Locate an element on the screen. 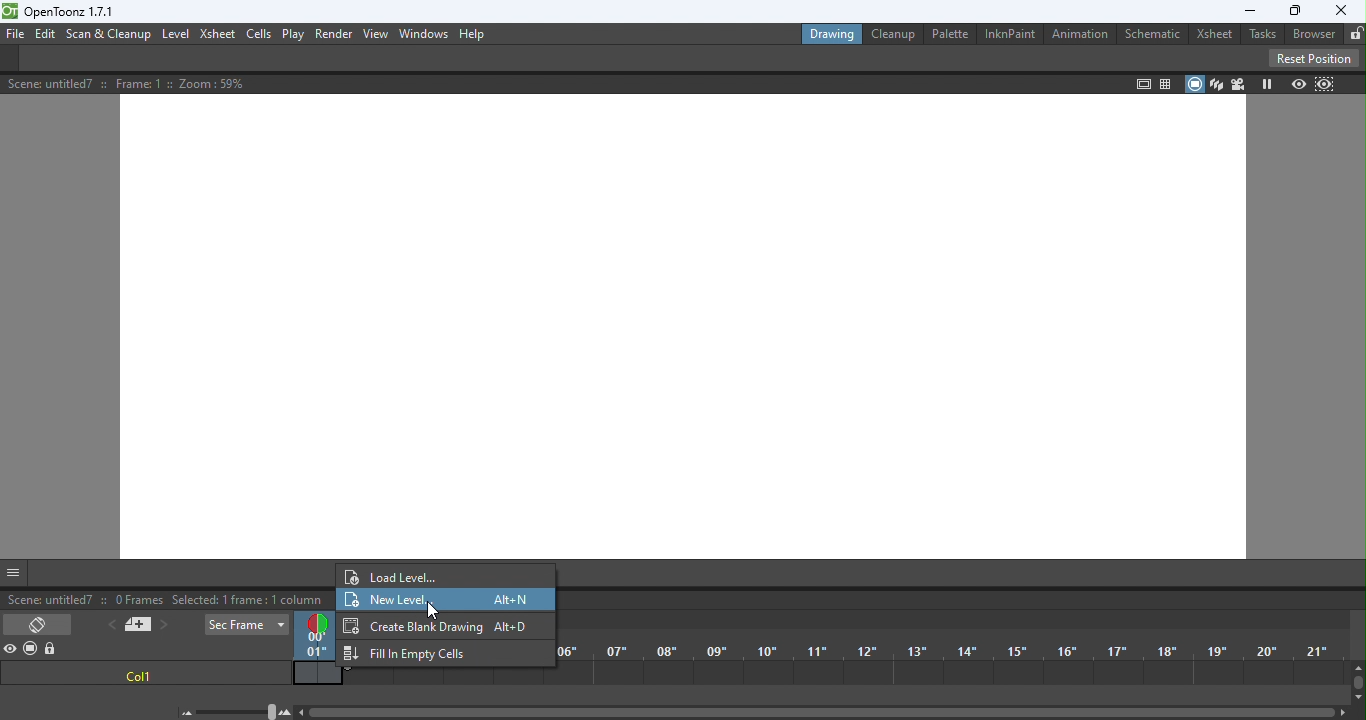 The image size is (1366, 720). Fill in Empty cells is located at coordinates (417, 653).